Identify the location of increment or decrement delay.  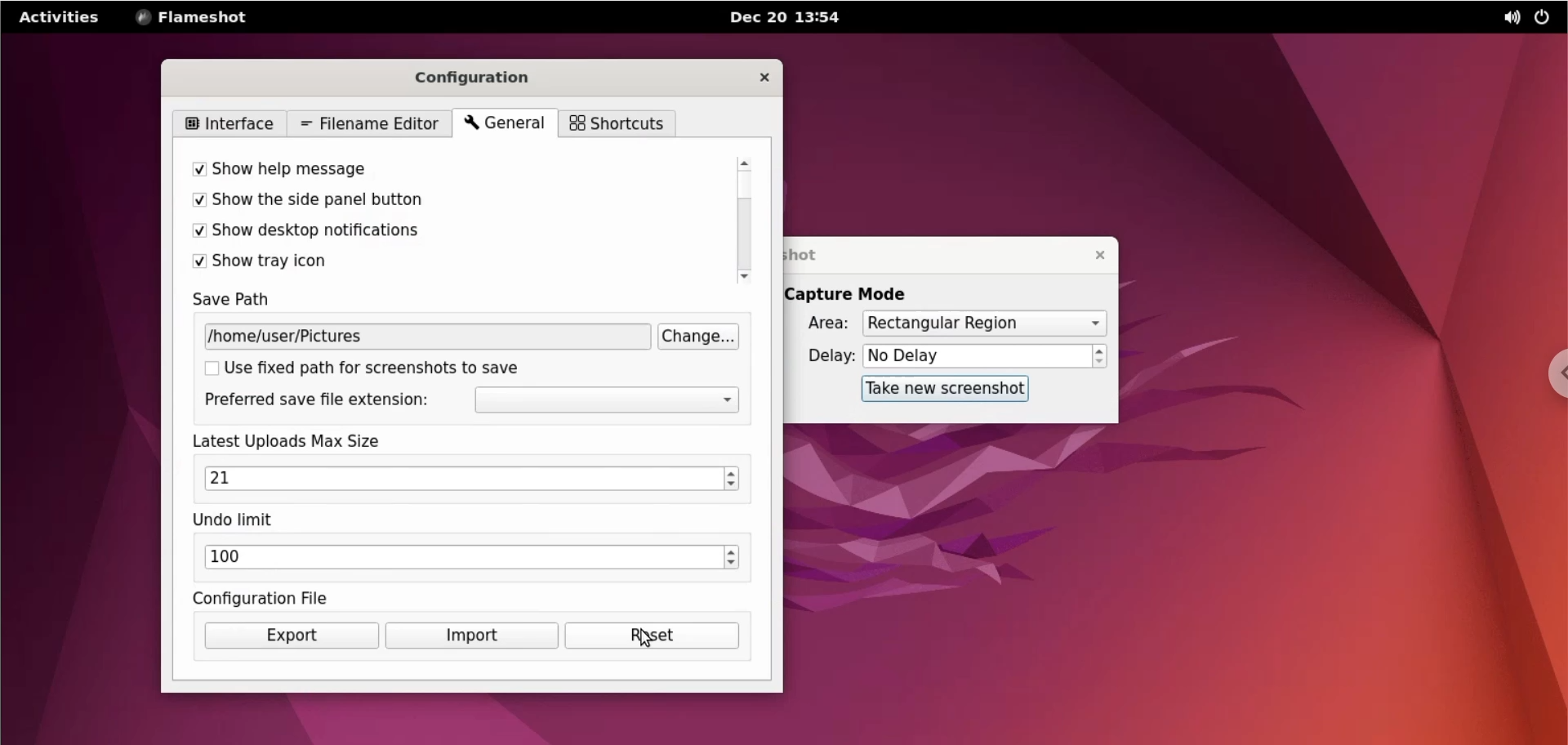
(1102, 356).